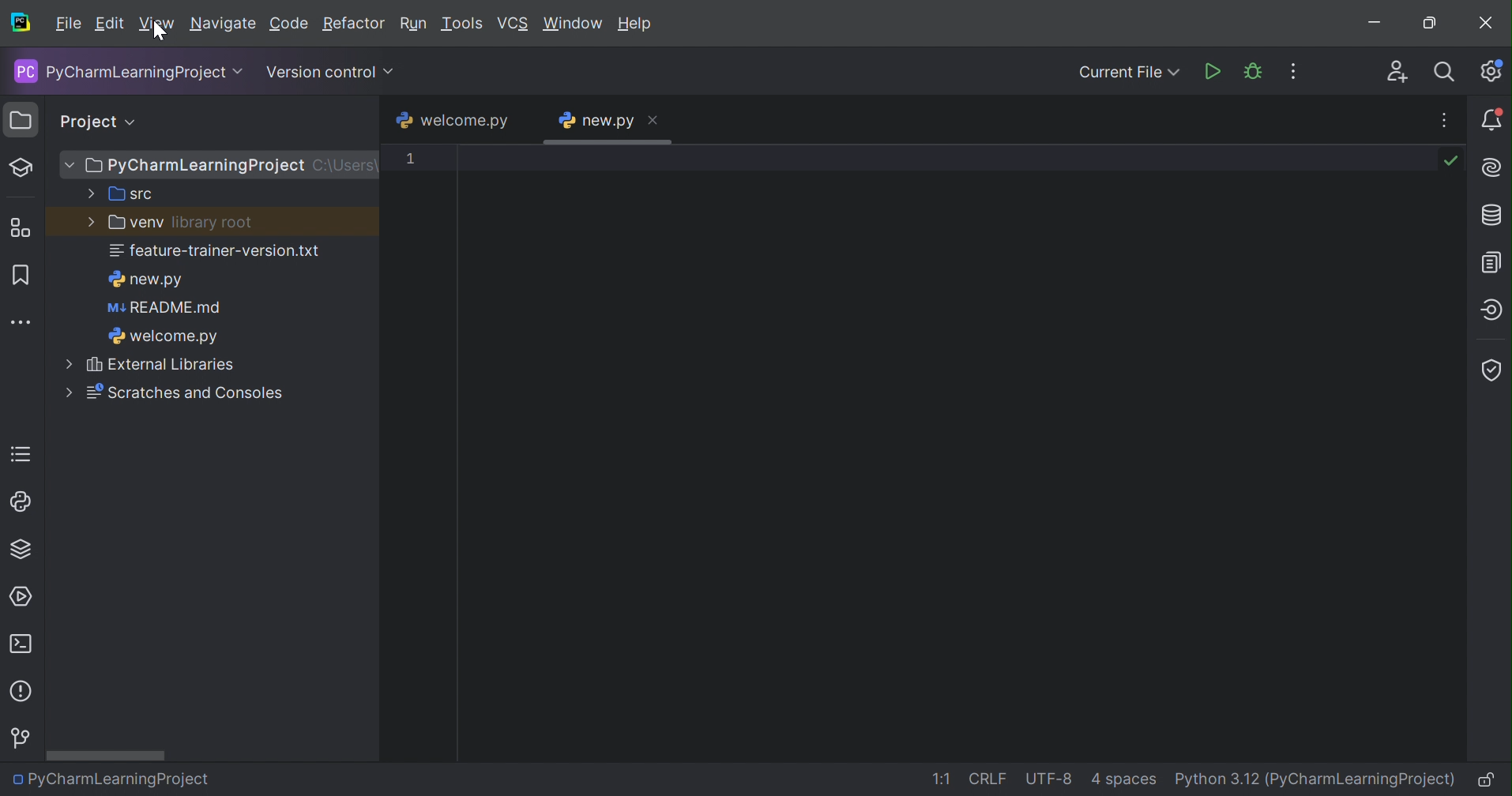 This screenshot has width=1512, height=796. What do you see at coordinates (216, 253) in the screenshot?
I see `feature-trainer-version.txt` at bounding box center [216, 253].